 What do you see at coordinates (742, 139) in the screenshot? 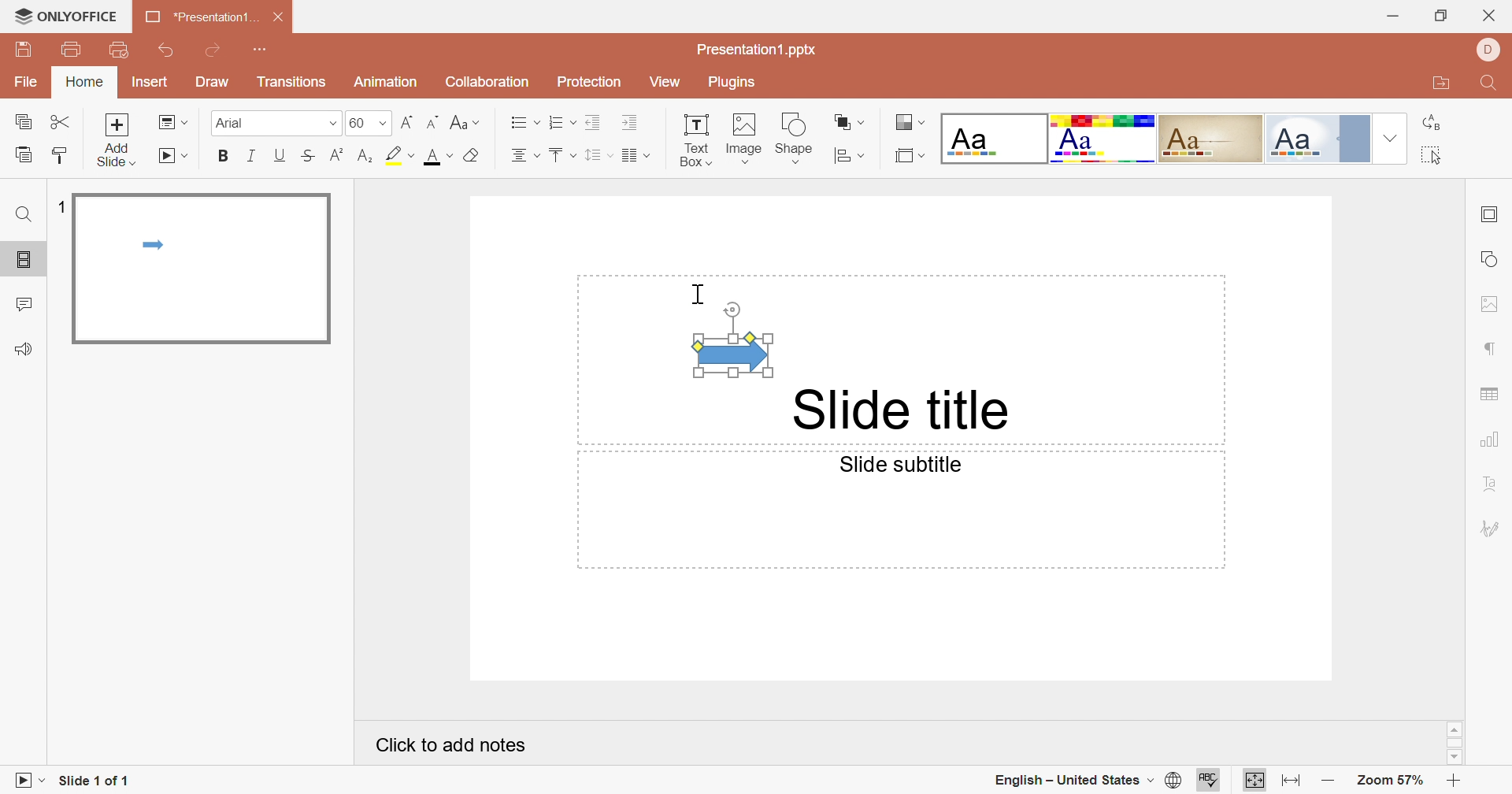
I see `Image` at bounding box center [742, 139].